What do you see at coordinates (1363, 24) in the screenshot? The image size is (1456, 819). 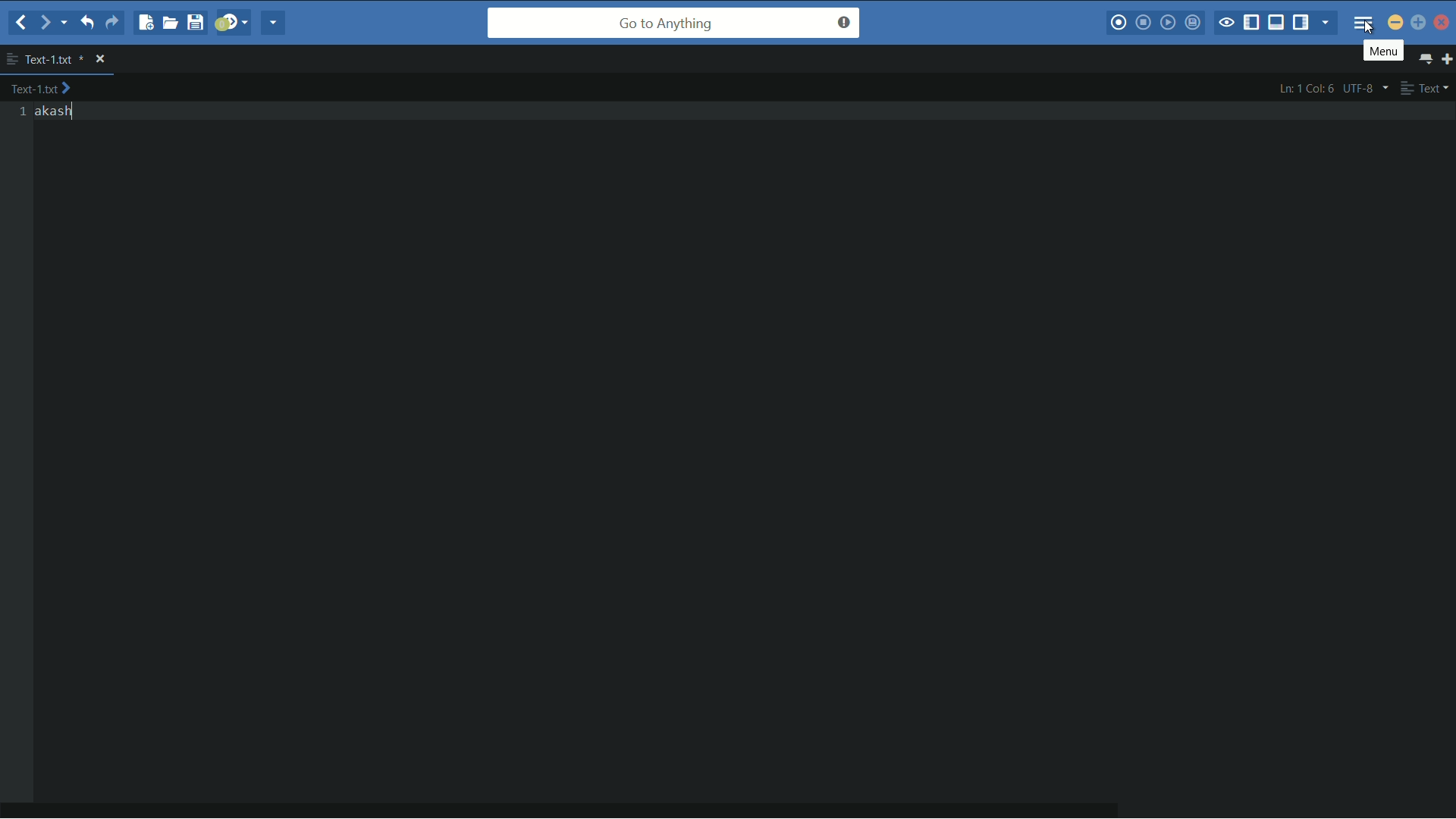 I see `menu` at bounding box center [1363, 24].